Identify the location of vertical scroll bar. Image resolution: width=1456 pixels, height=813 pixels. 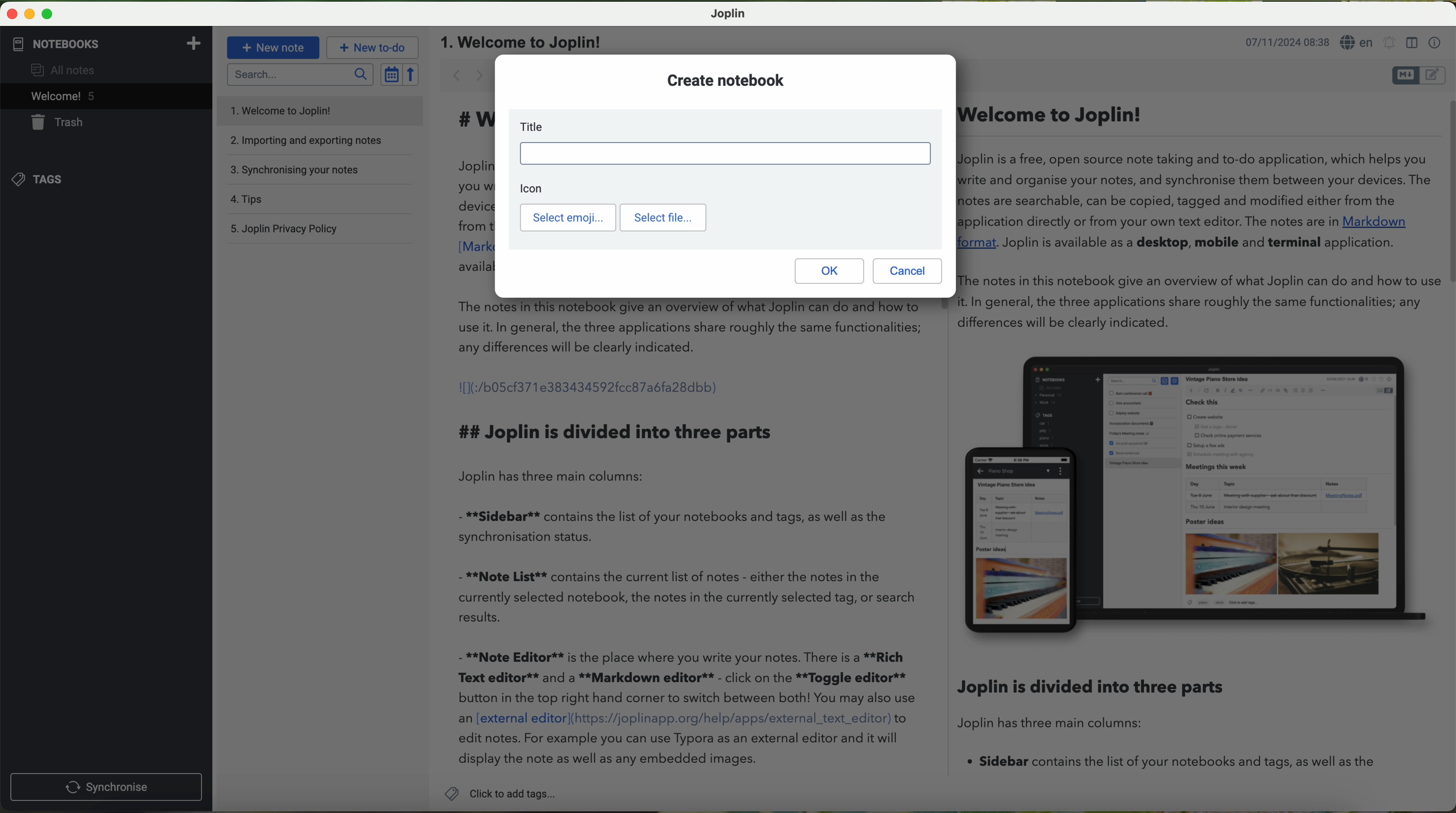
(1446, 193).